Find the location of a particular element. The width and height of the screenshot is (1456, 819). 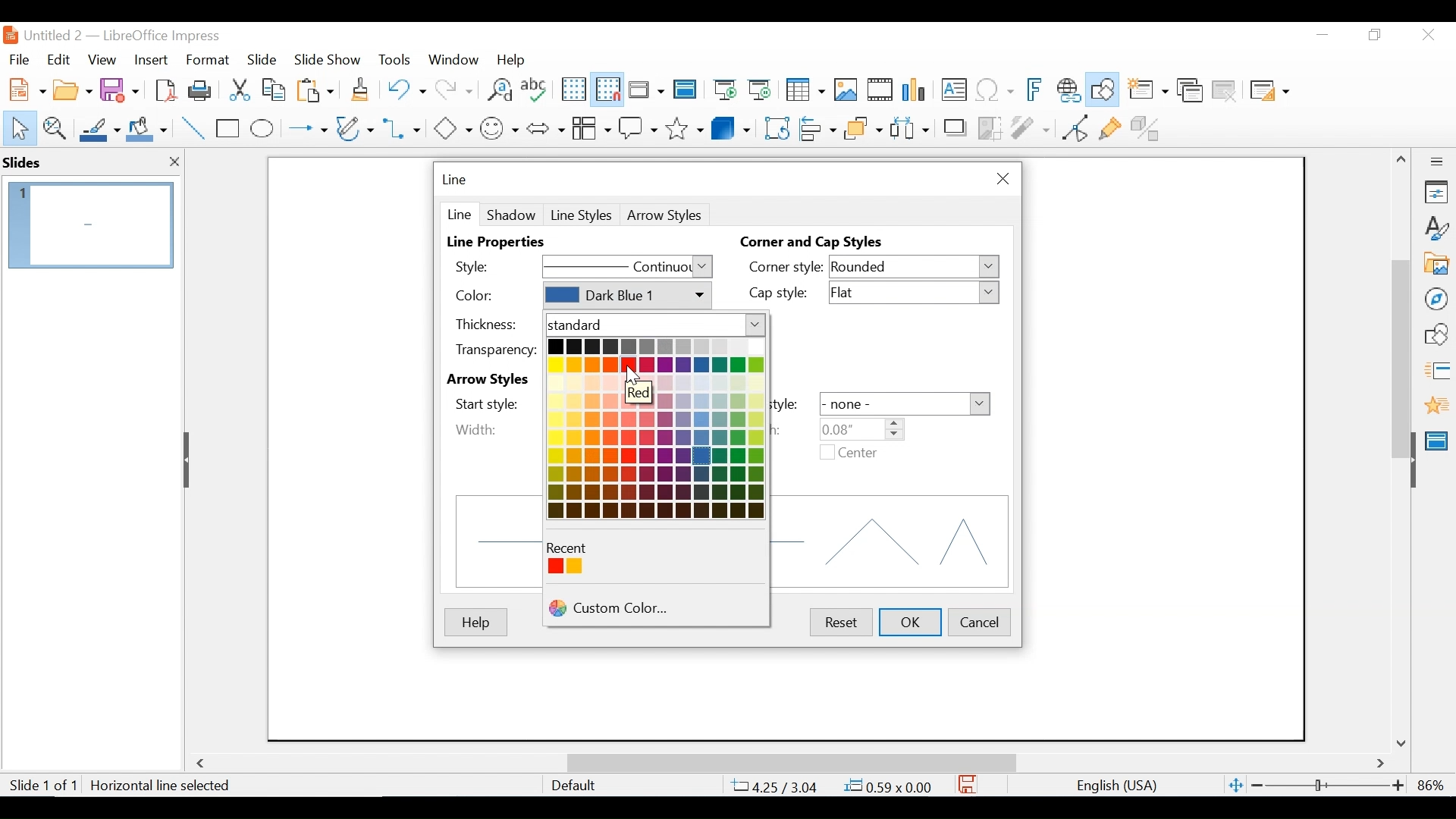

Find and Replace is located at coordinates (499, 89).